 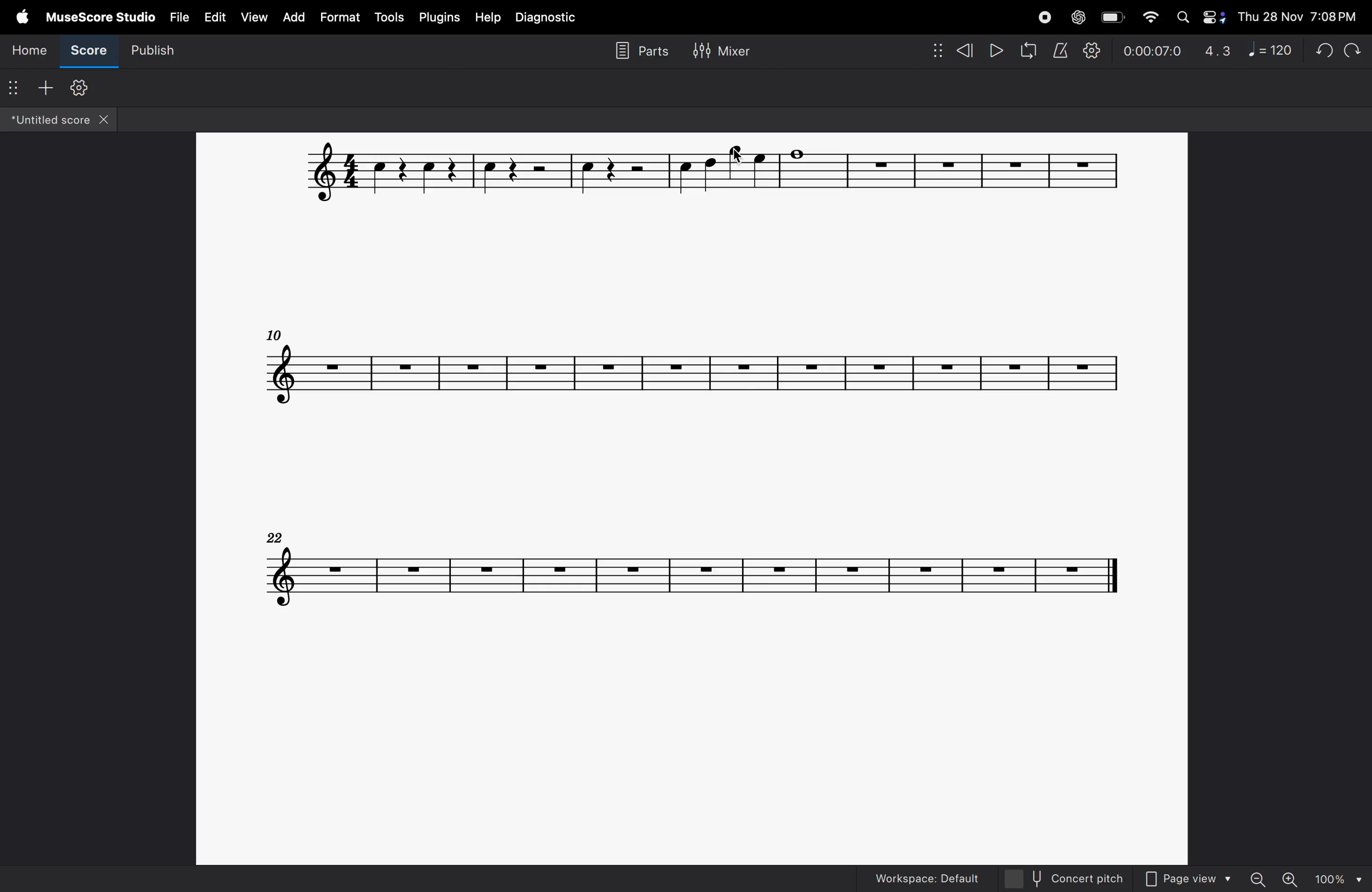 I want to click on score, so click(x=87, y=53).